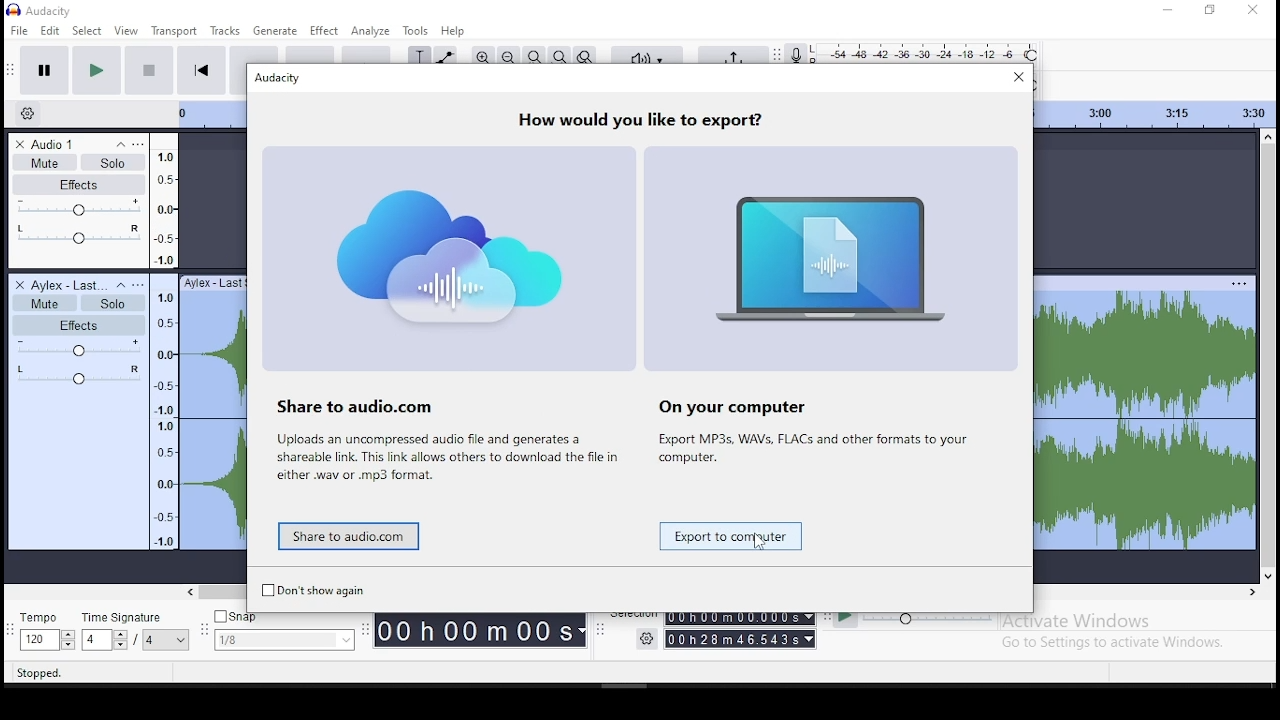  I want to click on solo, so click(114, 162).